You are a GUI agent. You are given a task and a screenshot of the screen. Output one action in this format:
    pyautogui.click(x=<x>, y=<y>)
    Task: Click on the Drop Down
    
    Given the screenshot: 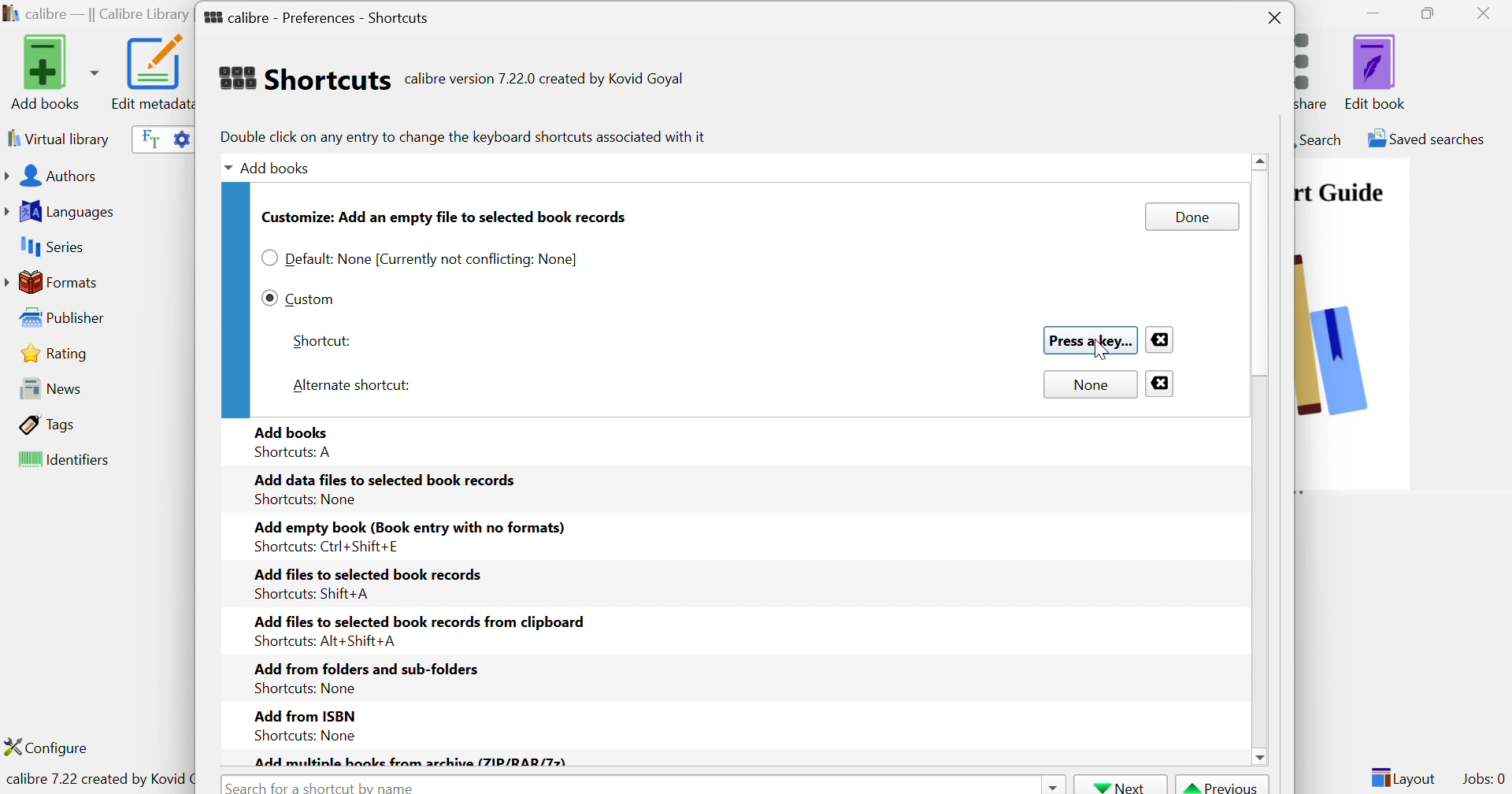 What is the action you would take?
    pyautogui.click(x=224, y=169)
    